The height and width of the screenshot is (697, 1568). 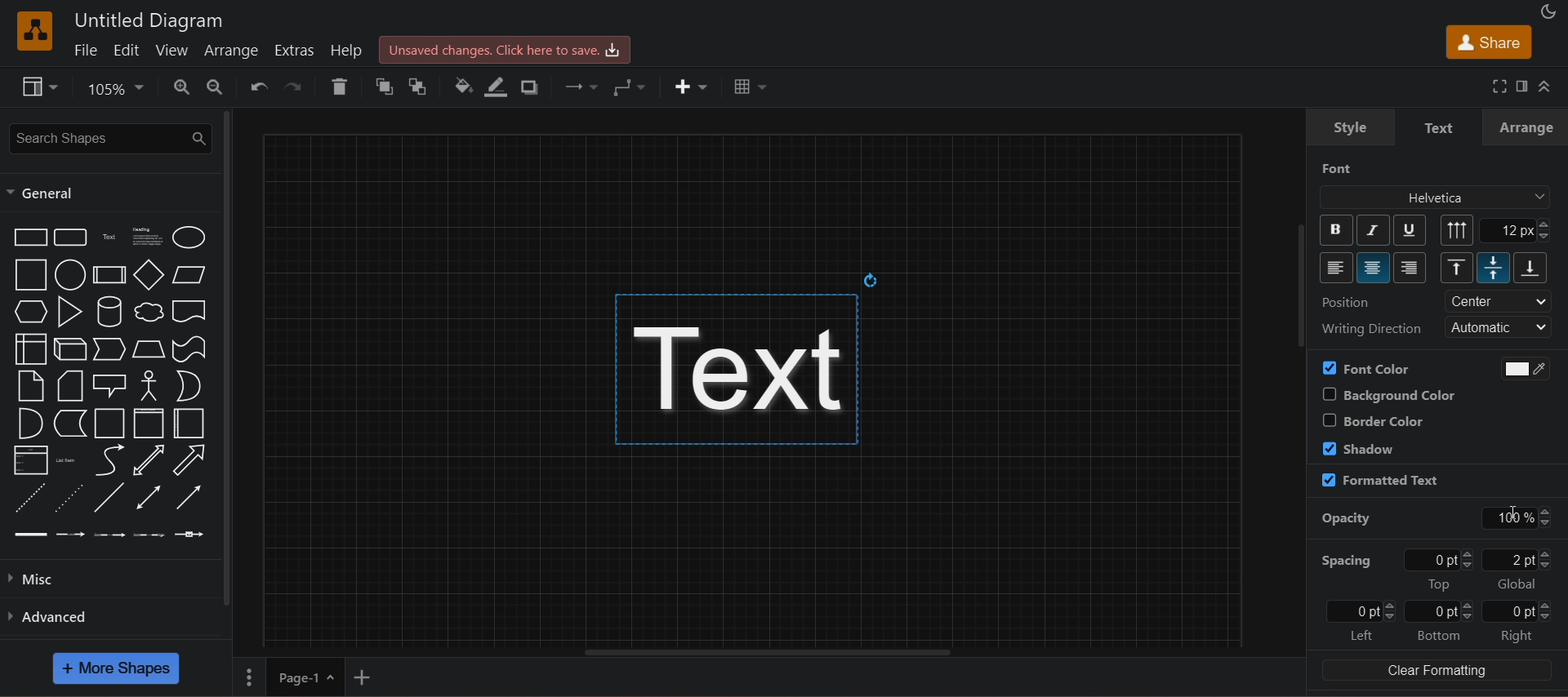 What do you see at coordinates (70, 312) in the screenshot?
I see `triangle` at bounding box center [70, 312].